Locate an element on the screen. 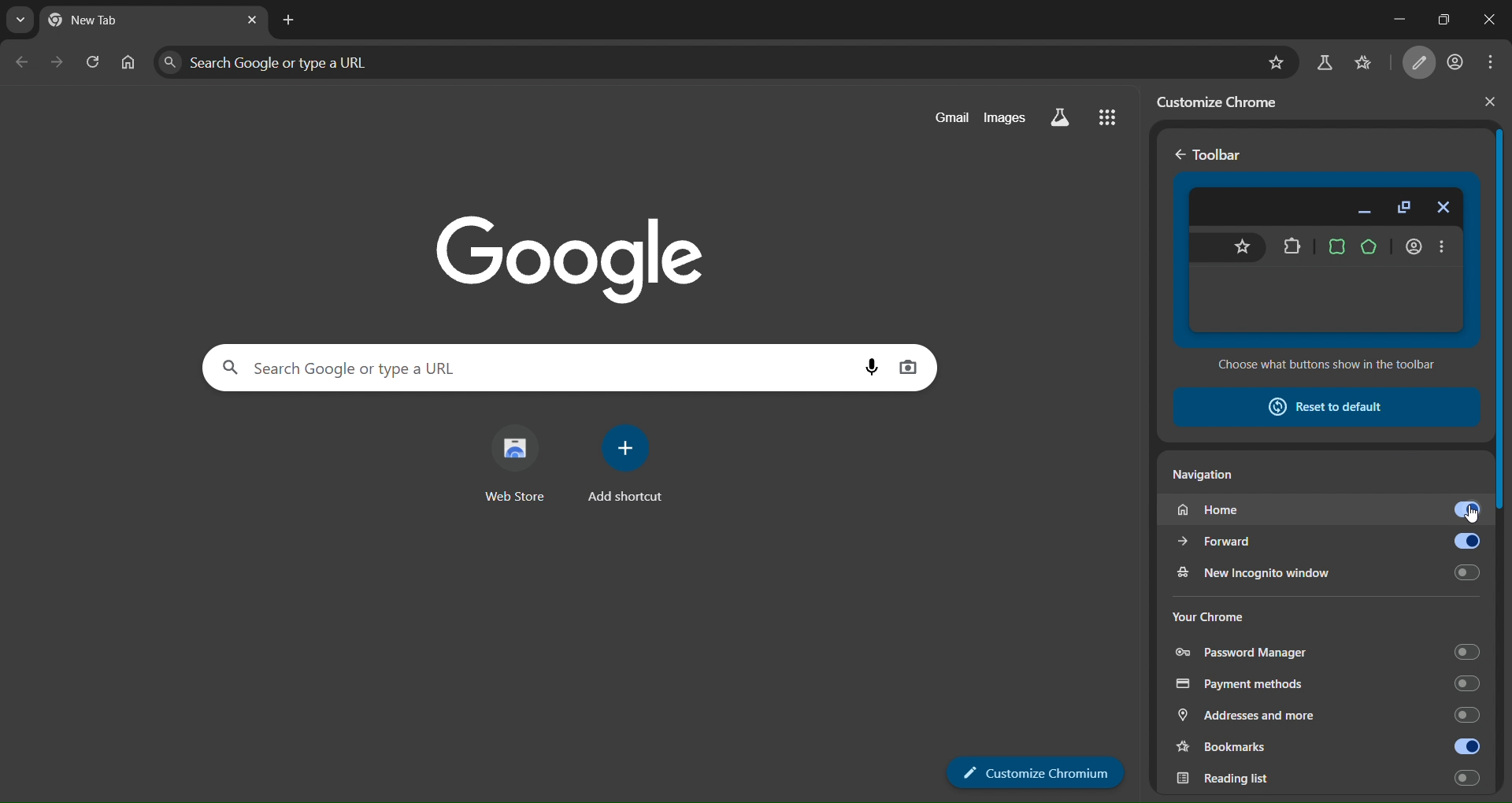 The width and height of the screenshot is (1512, 803). Your Chrome is located at coordinates (1209, 615).